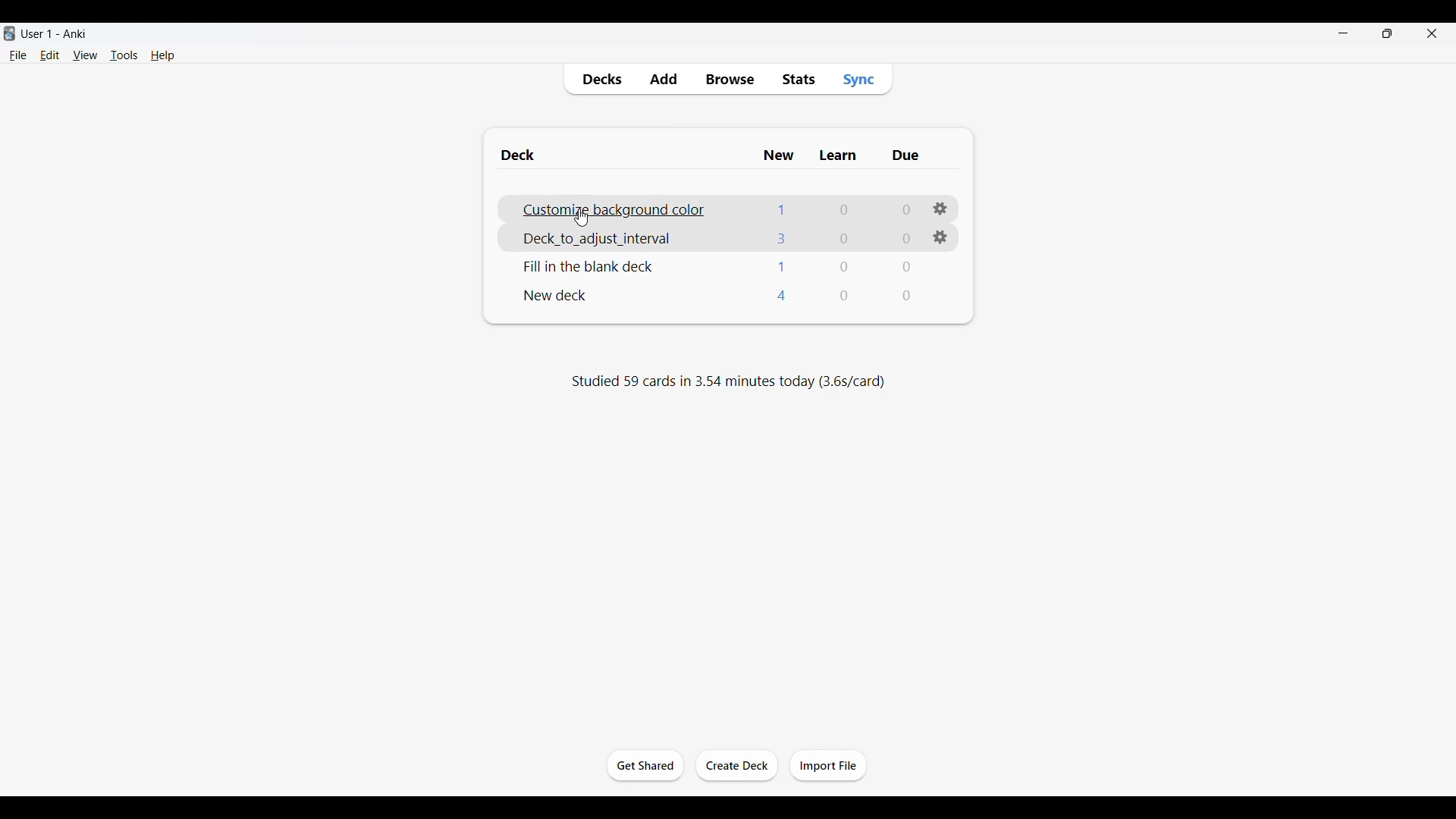  I want to click on File menu, so click(17, 55).